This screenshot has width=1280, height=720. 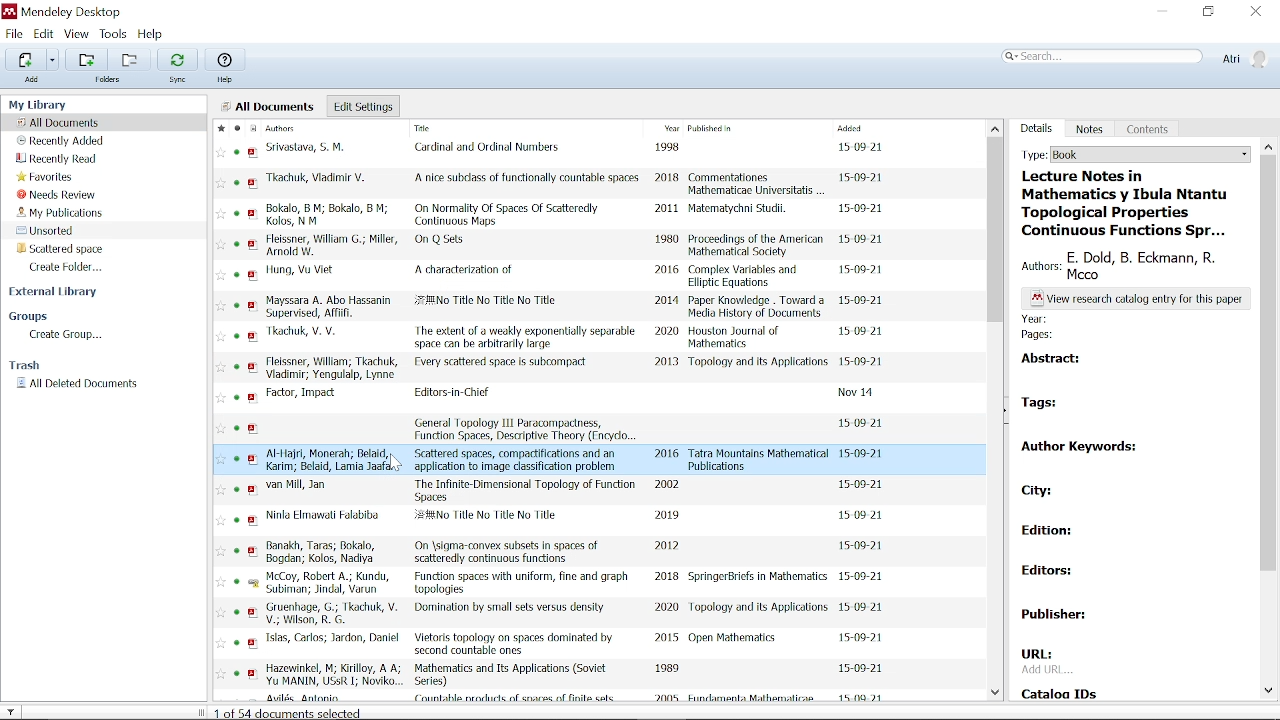 I want to click on date, so click(x=863, y=243).